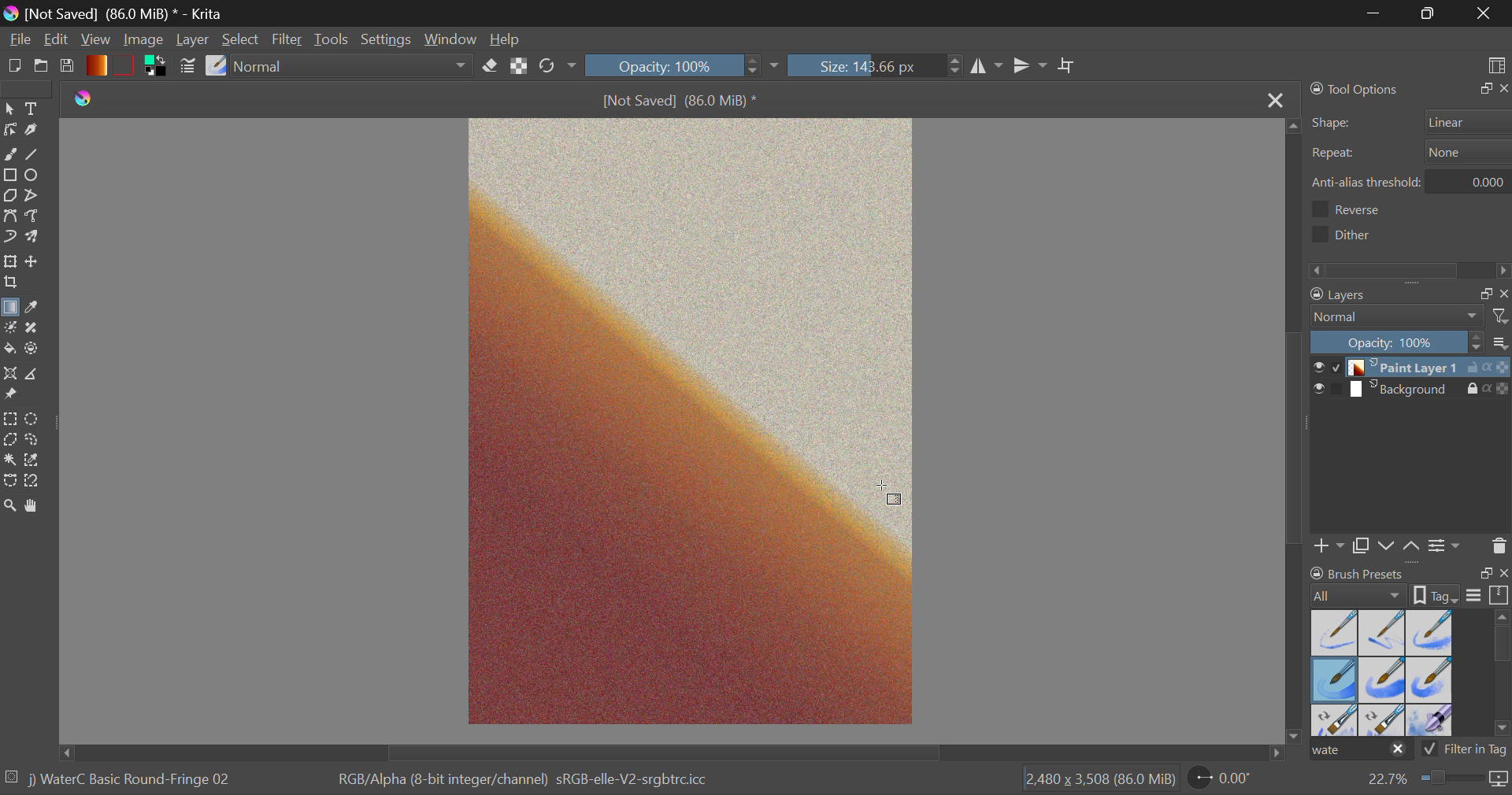 The width and height of the screenshot is (1512, 795). Describe the element at coordinates (1363, 209) in the screenshot. I see `reverse` at that location.